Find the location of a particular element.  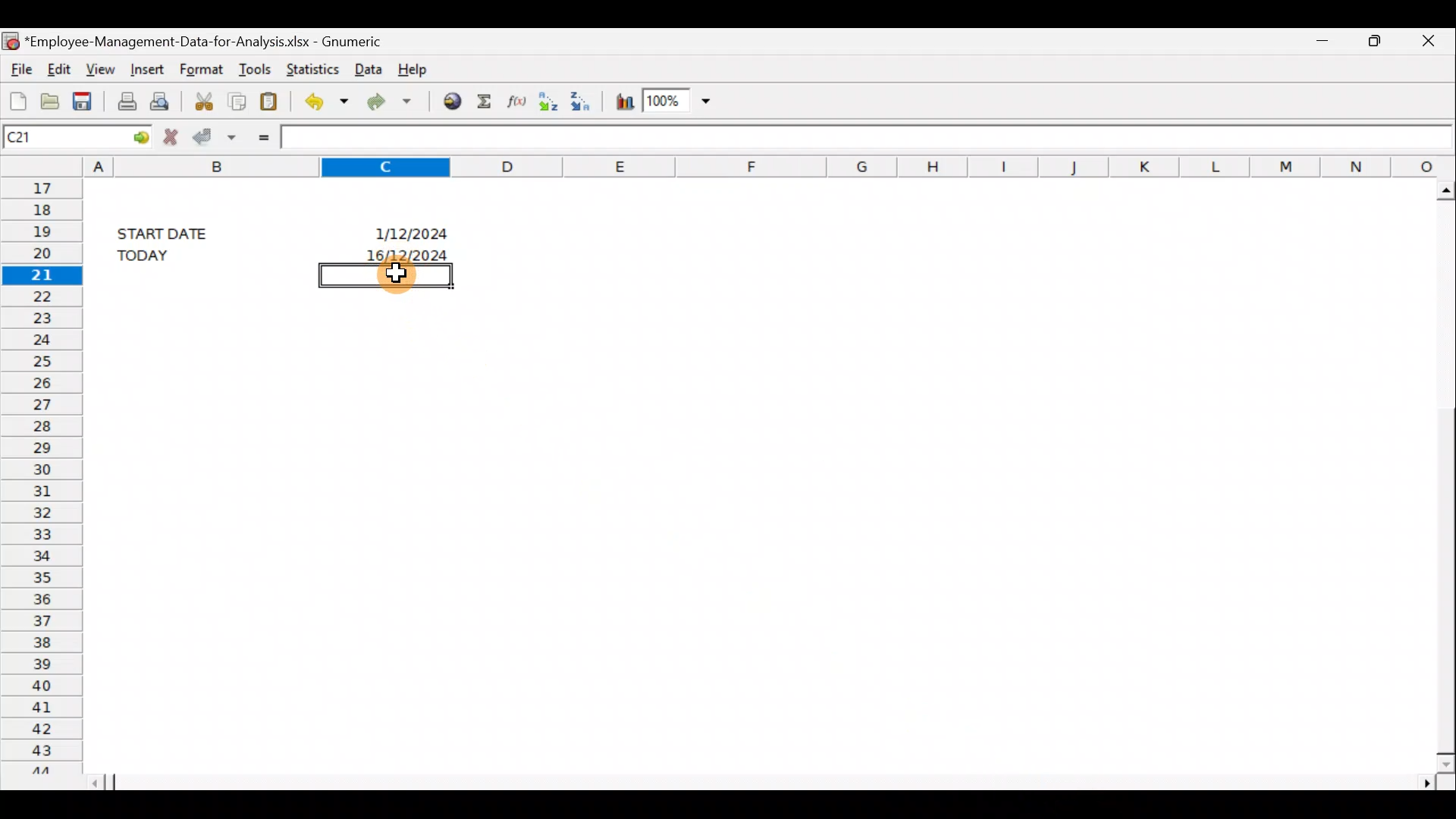

Cells is located at coordinates (750, 539).